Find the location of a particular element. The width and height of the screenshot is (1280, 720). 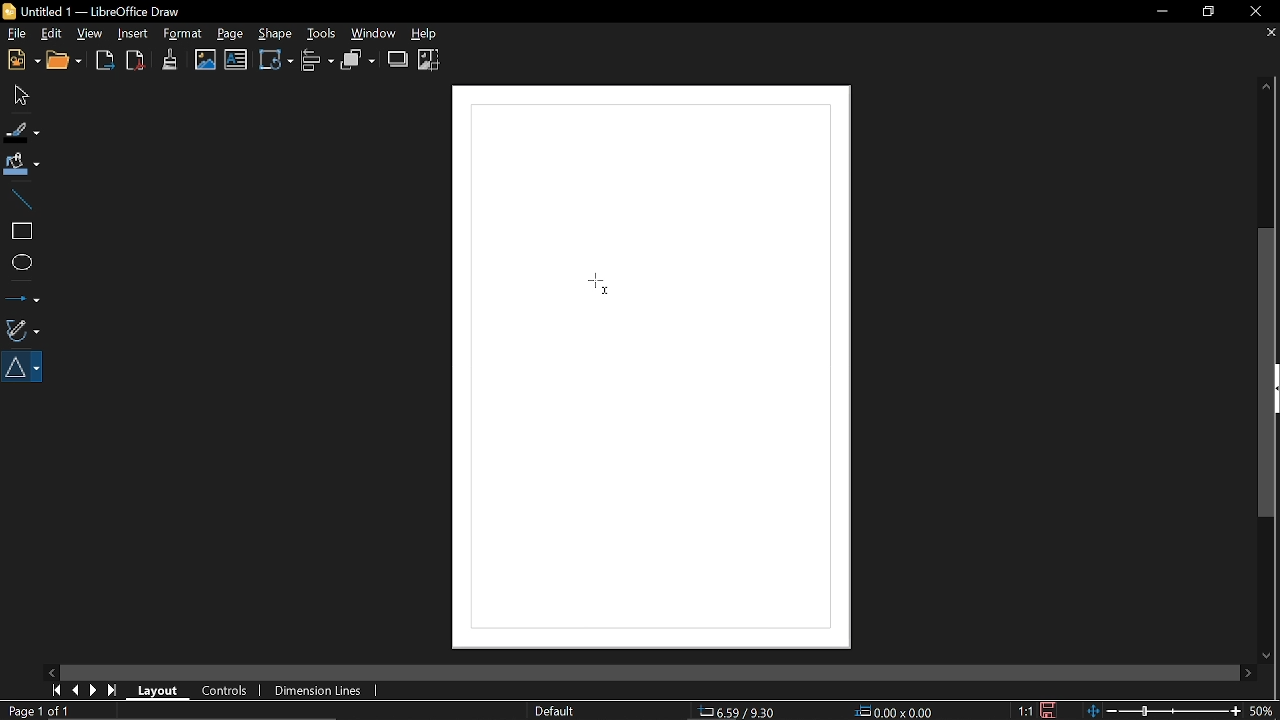

Previous page is located at coordinates (75, 691).